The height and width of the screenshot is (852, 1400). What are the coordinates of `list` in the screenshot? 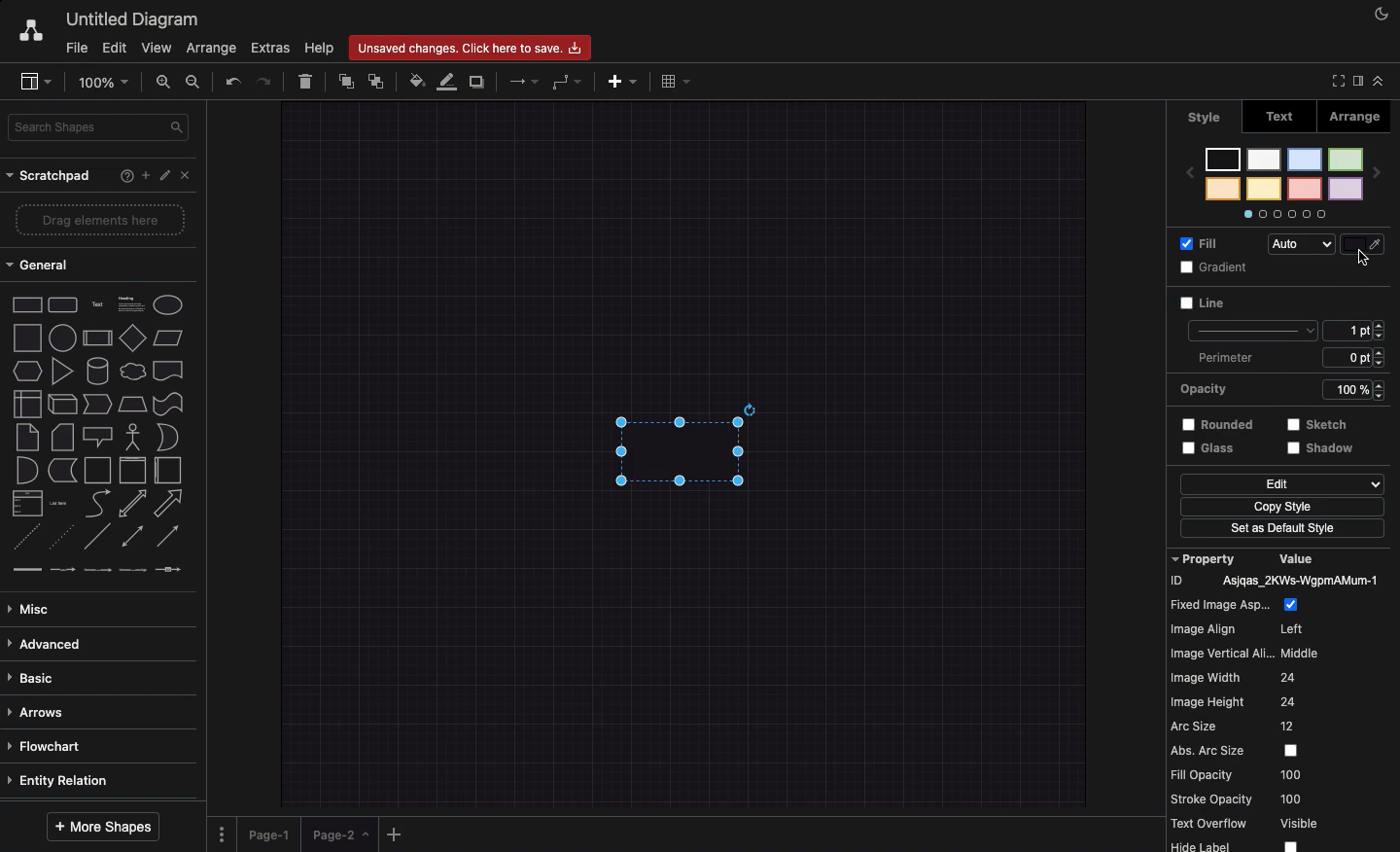 It's located at (24, 504).